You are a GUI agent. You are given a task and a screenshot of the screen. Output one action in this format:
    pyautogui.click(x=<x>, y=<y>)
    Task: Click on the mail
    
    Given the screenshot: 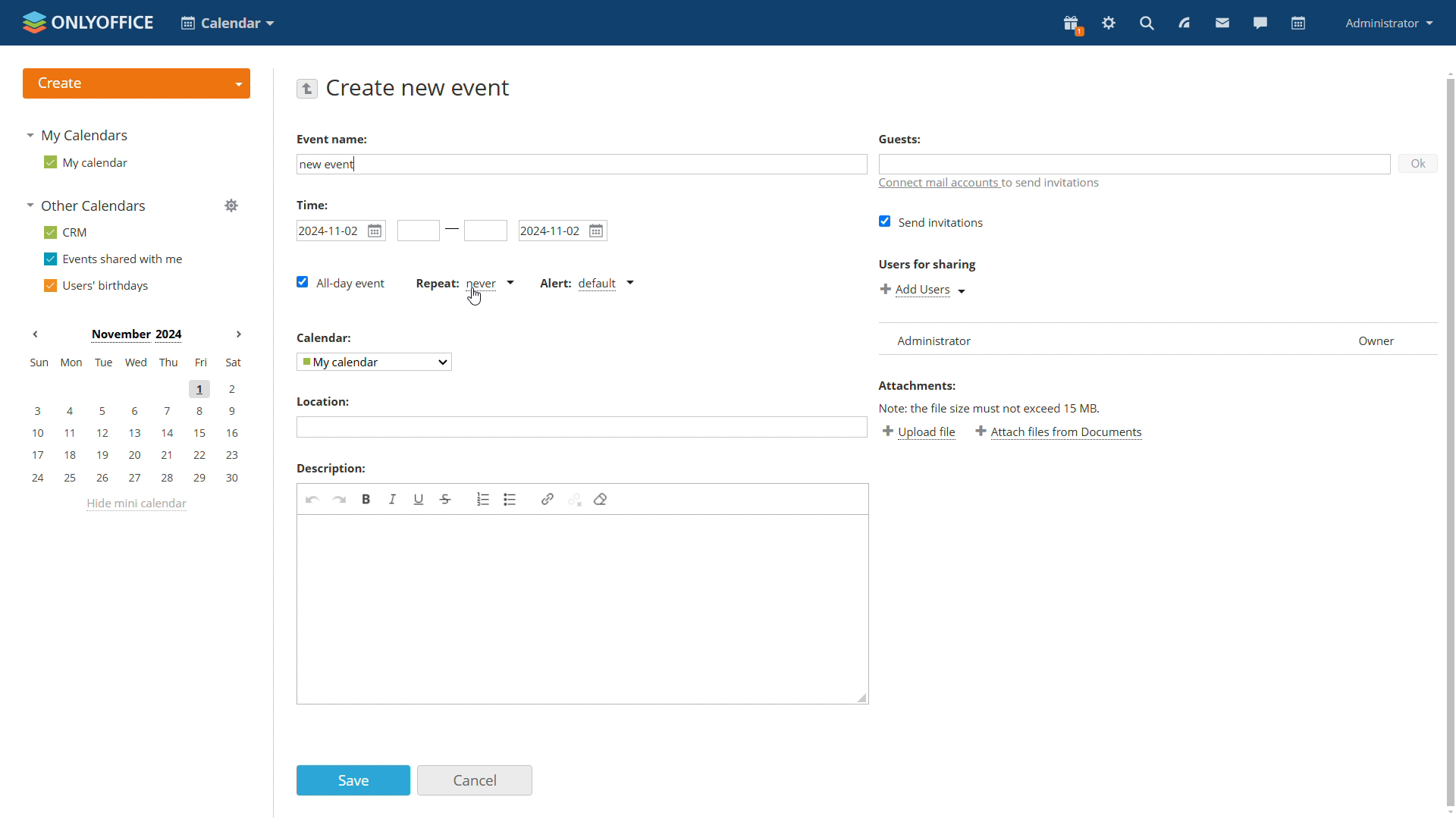 What is the action you would take?
    pyautogui.click(x=1223, y=24)
    